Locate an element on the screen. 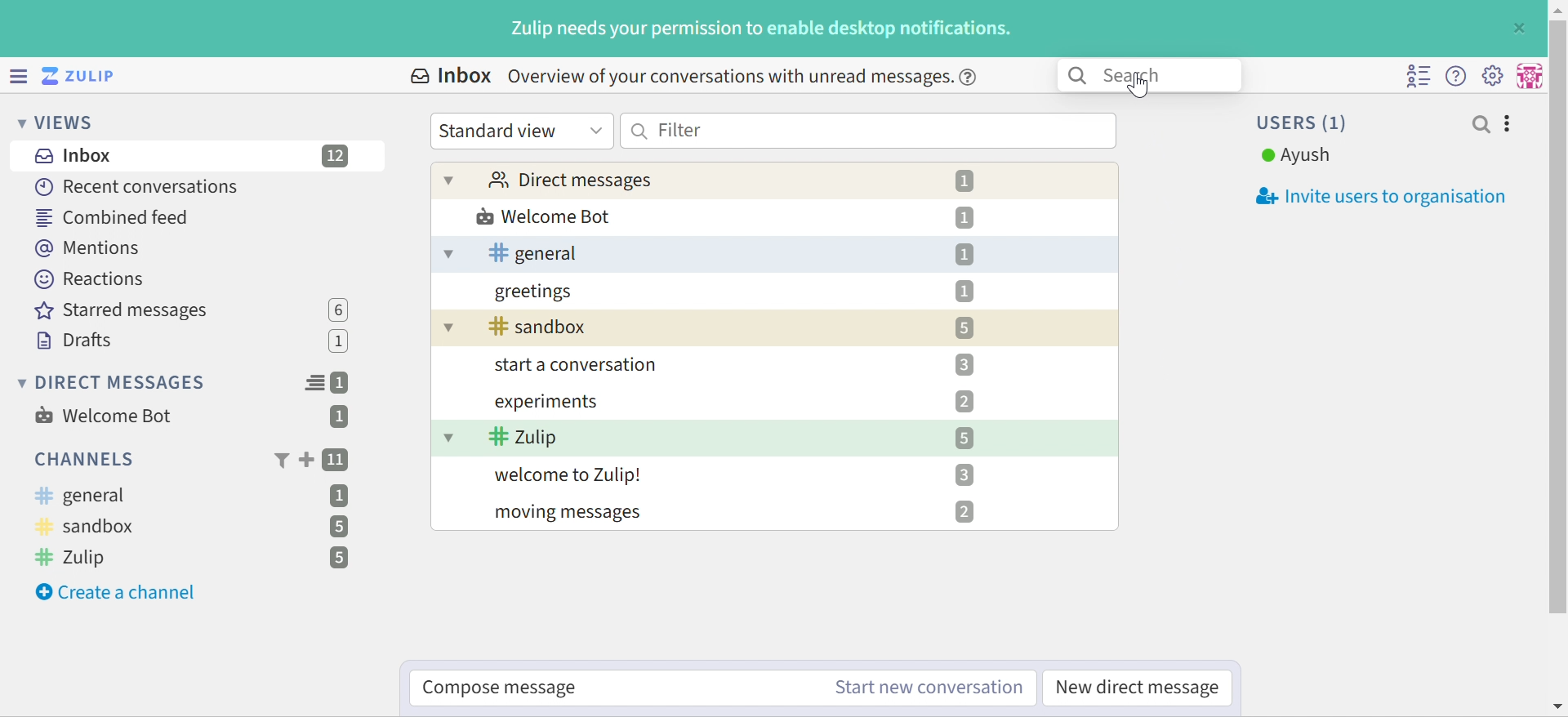 This screenshot has width=1568, height=717. 1 is located at coordinates (964, 218).